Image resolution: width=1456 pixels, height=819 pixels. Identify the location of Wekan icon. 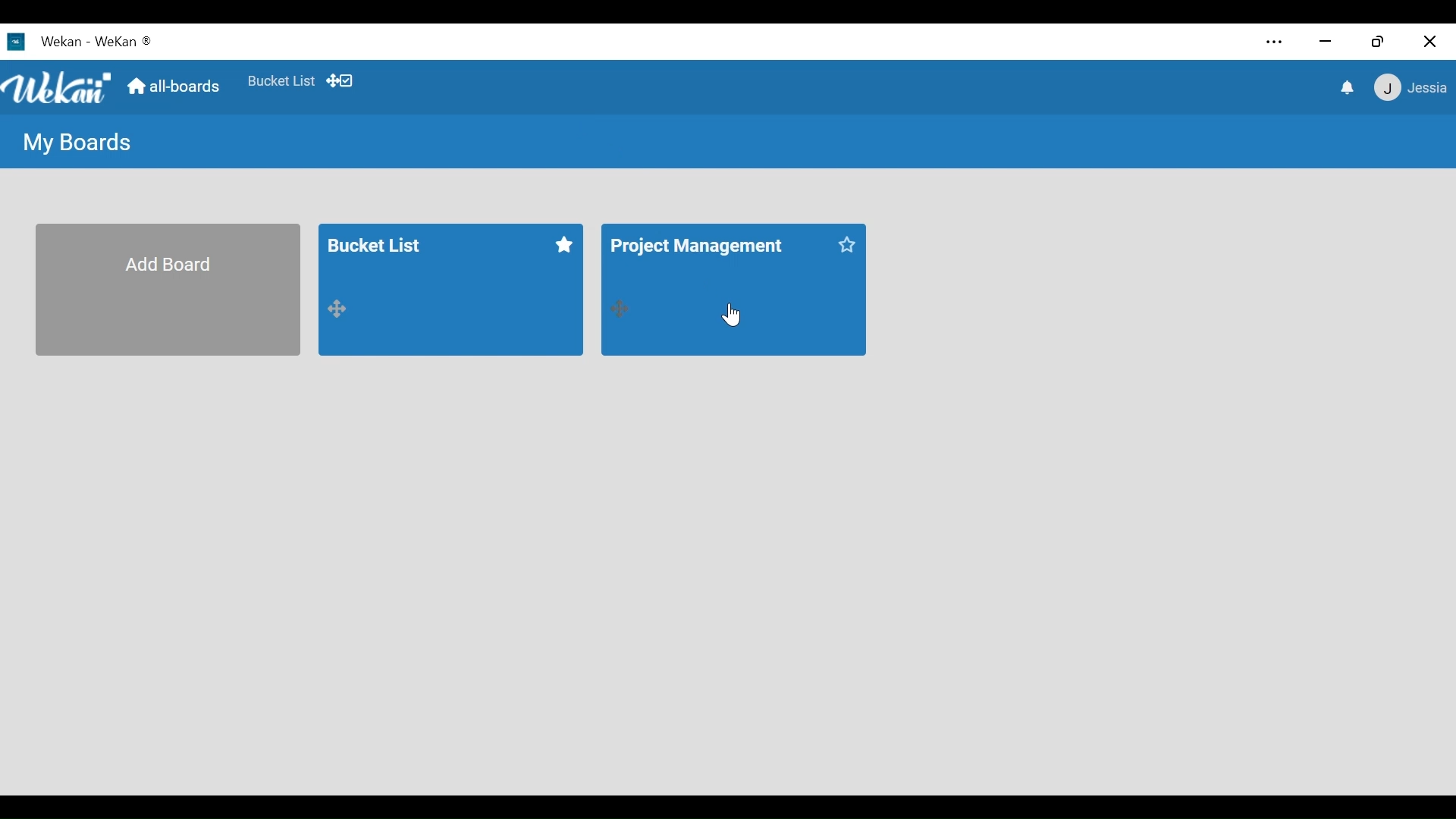
(19, 42).